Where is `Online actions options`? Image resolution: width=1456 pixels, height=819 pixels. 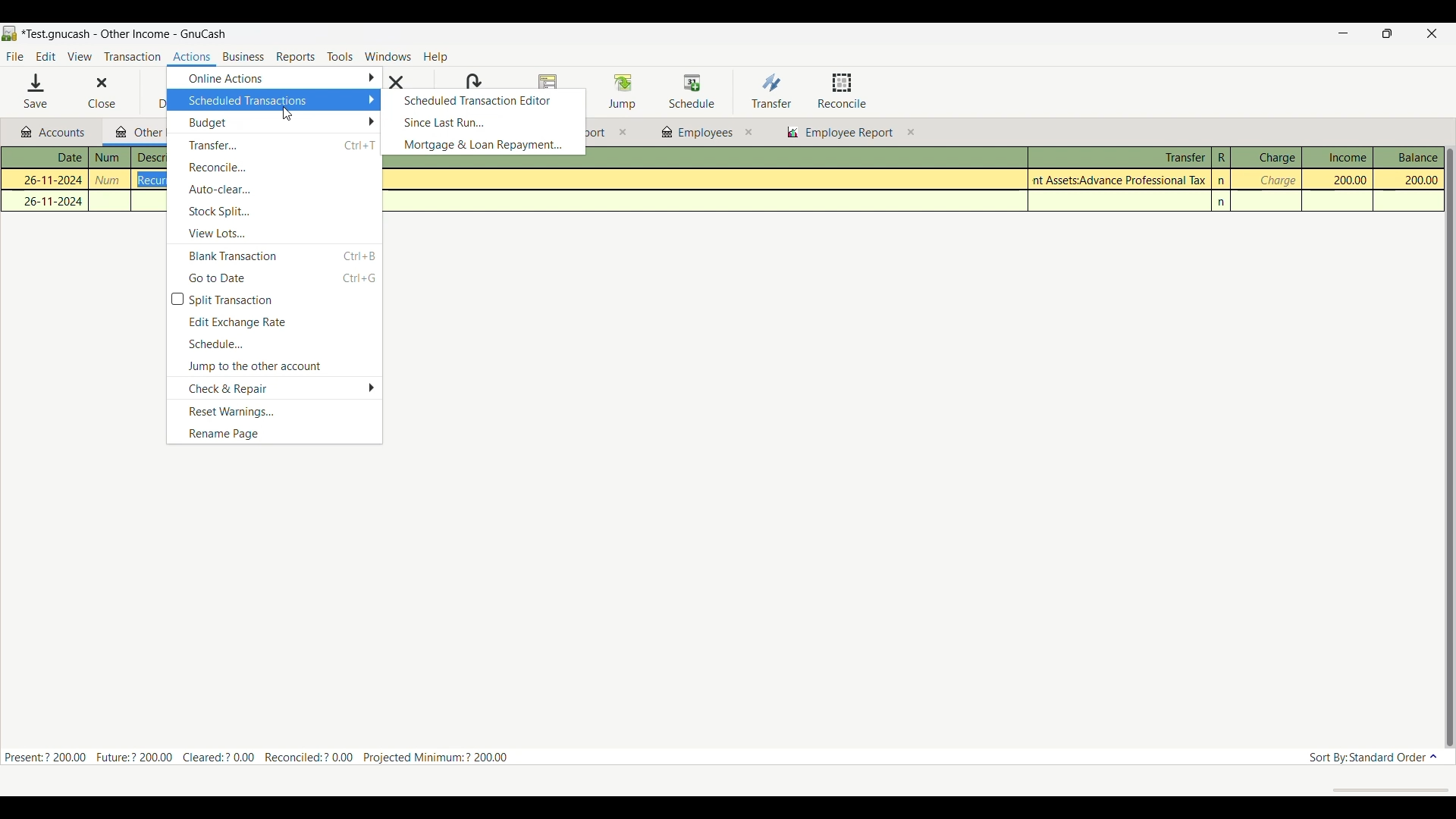 Online actions options is located at coordinates (274, 78).